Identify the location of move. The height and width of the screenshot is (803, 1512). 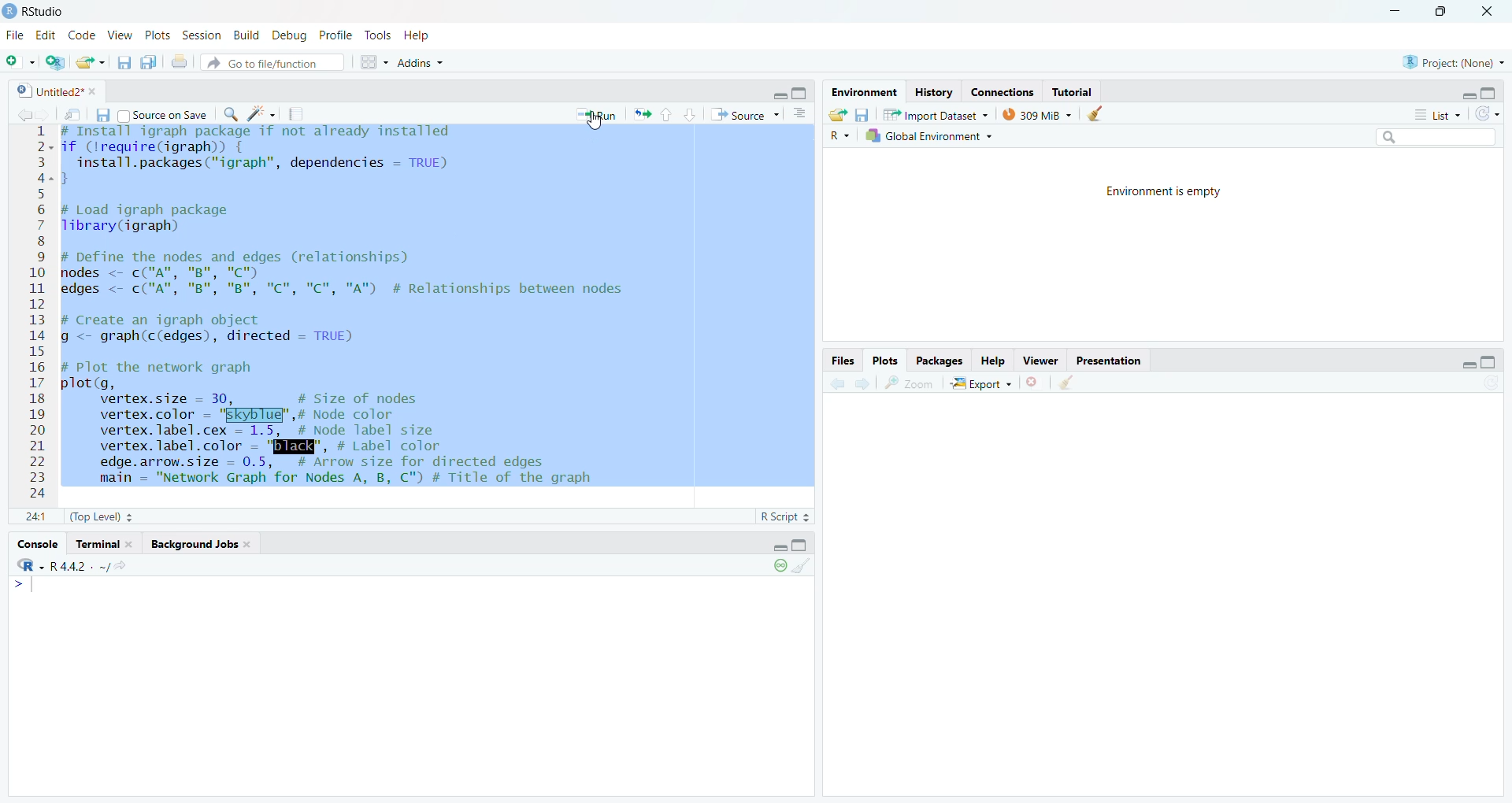
(73, 115).